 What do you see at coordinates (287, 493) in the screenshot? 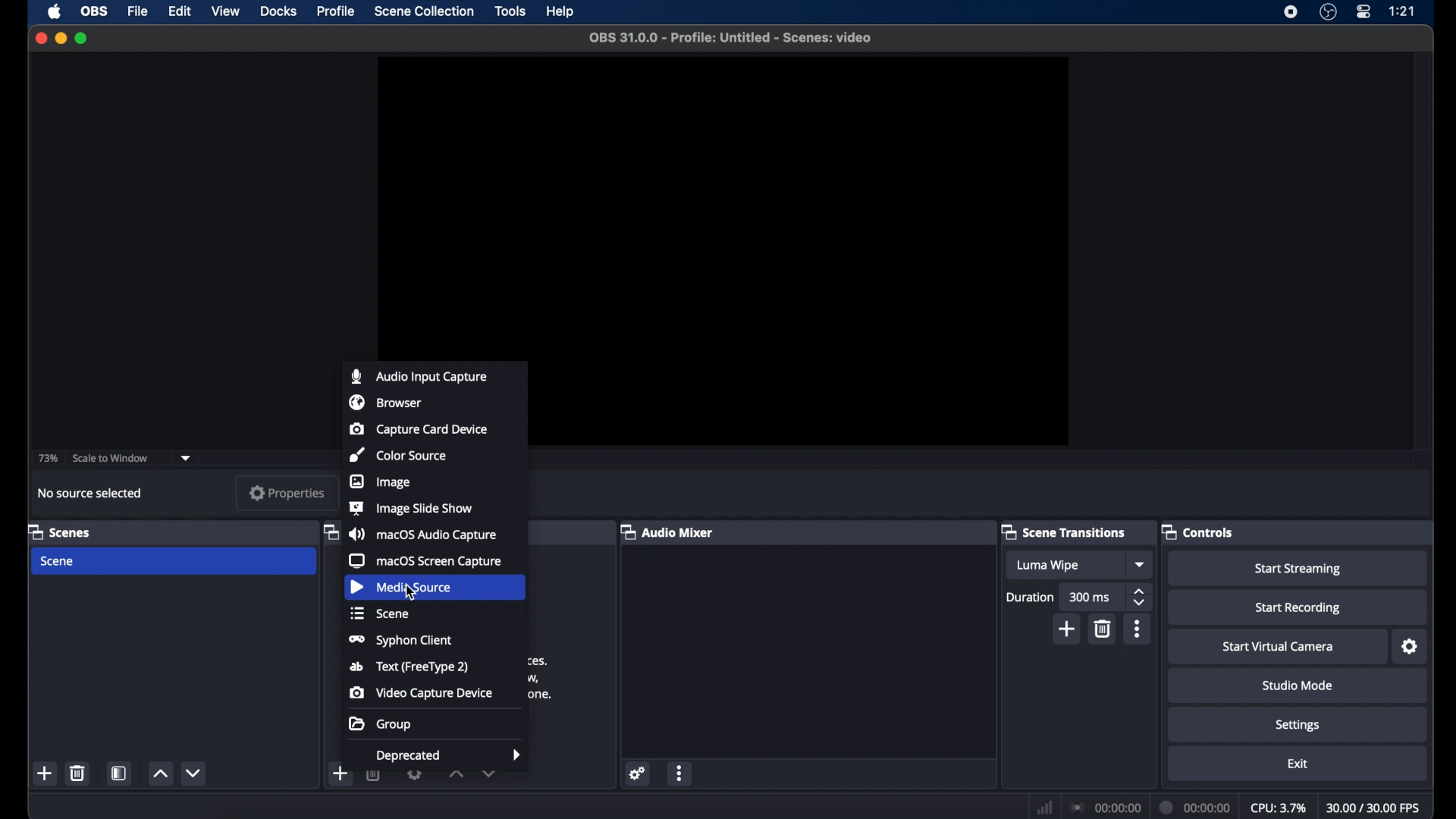
I see `properties` at bounding box center [287, 493].